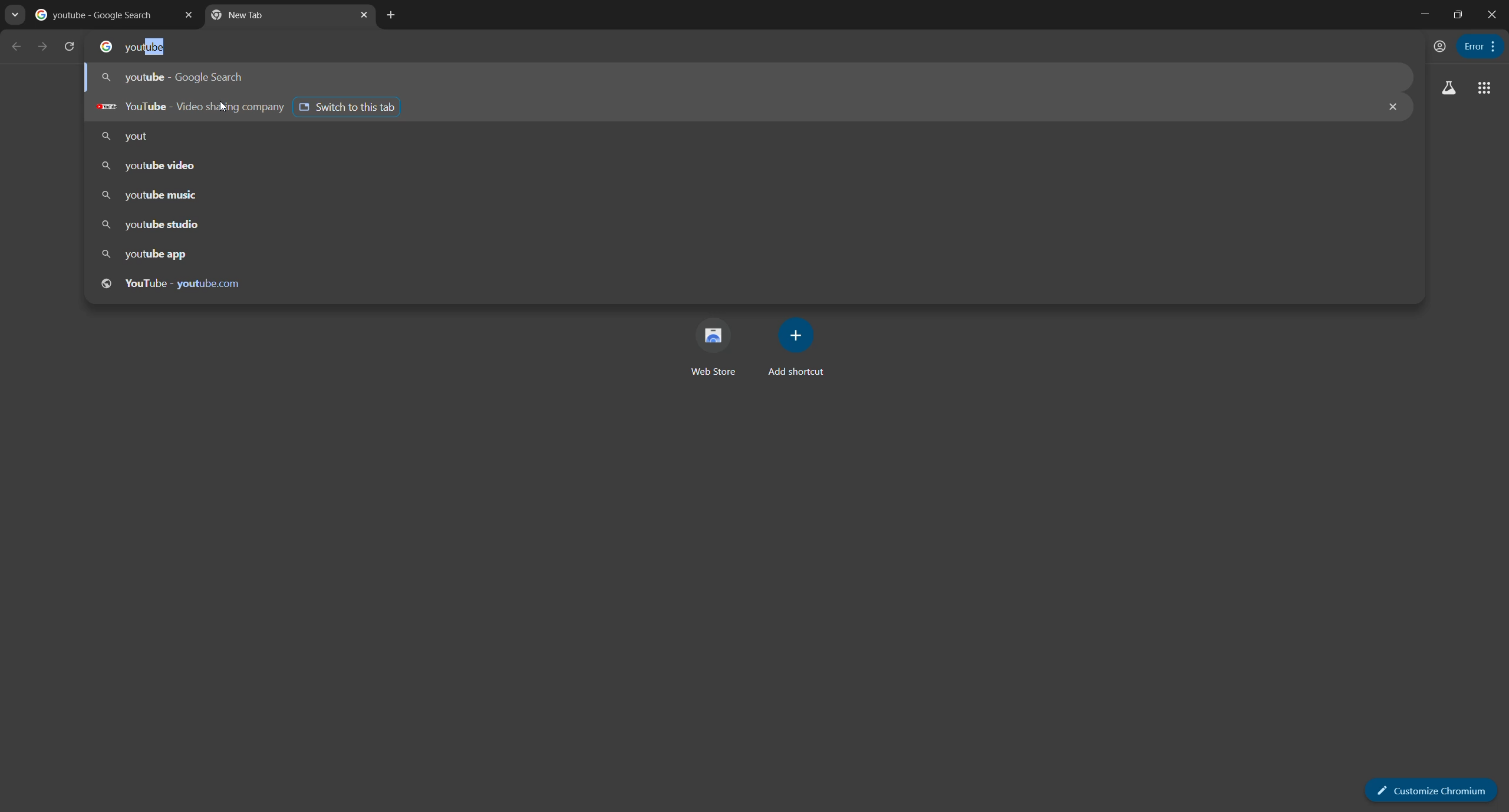  I want to click on new tab, so click(392, 15).